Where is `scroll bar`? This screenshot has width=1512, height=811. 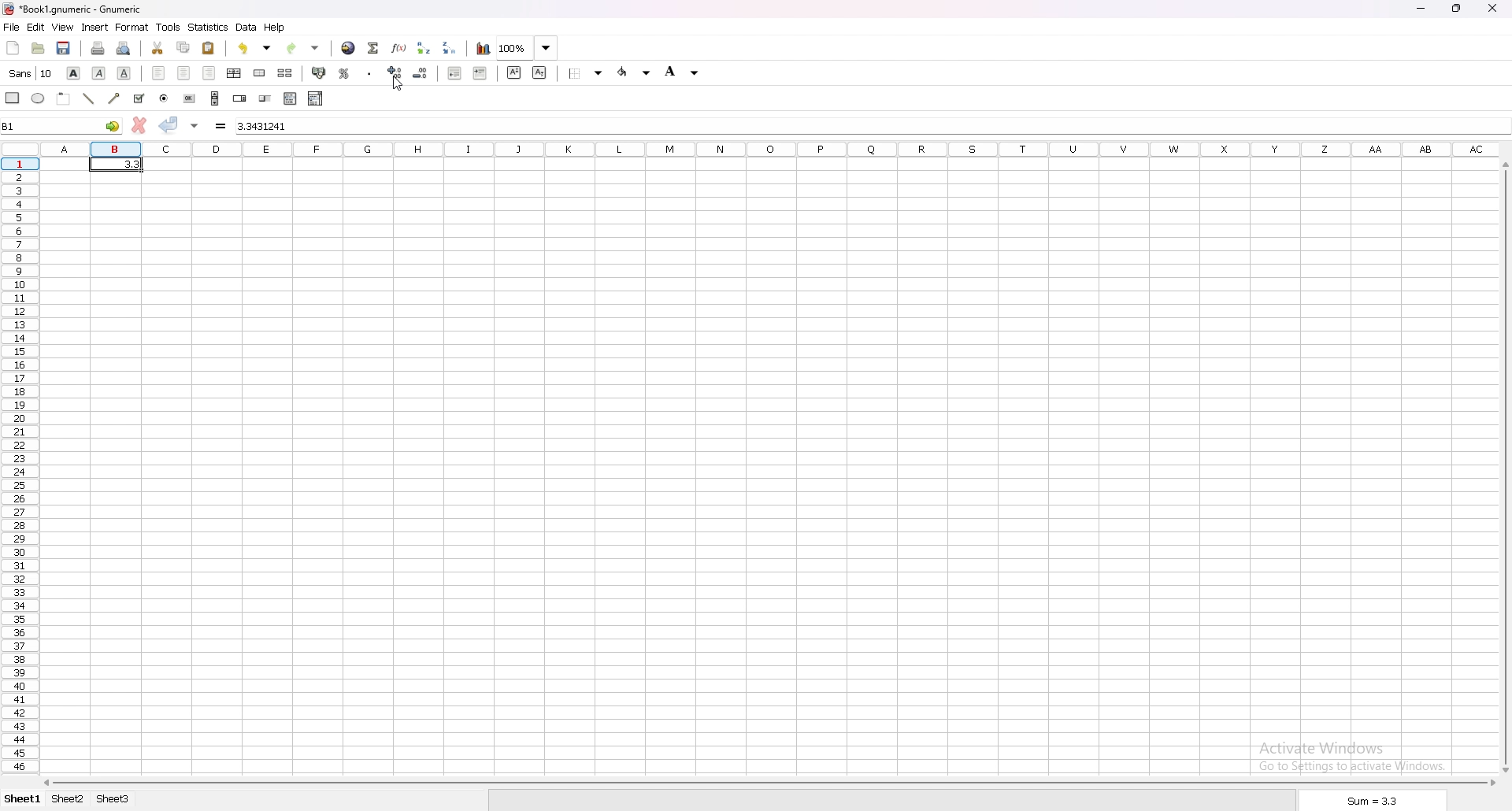 scroll bar is located at coordinates (1503, 465).